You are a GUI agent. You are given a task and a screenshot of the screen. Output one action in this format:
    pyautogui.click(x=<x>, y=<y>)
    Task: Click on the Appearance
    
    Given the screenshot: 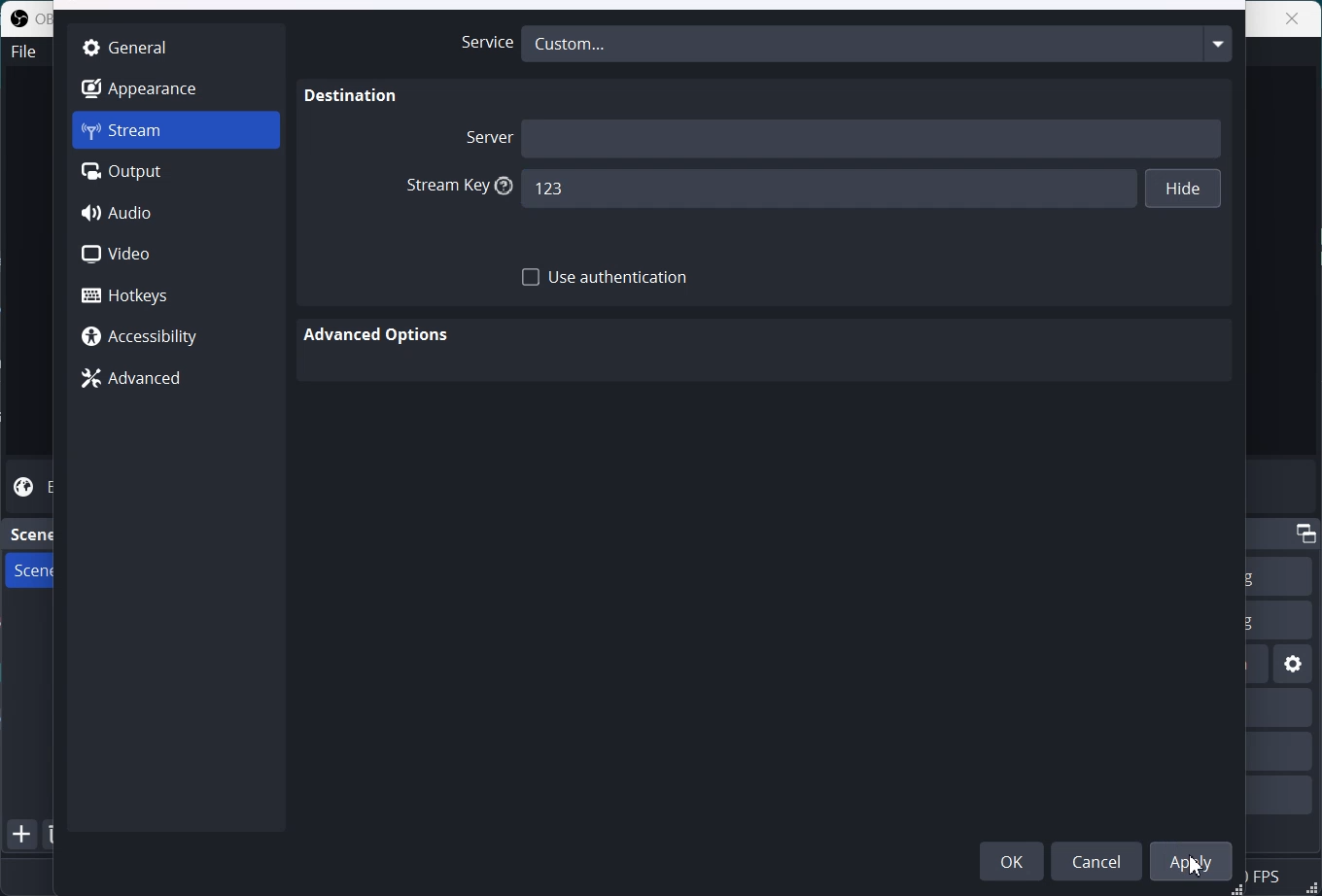 What is the action you would take?
    pyautogui.click(x=175, y=87)
    